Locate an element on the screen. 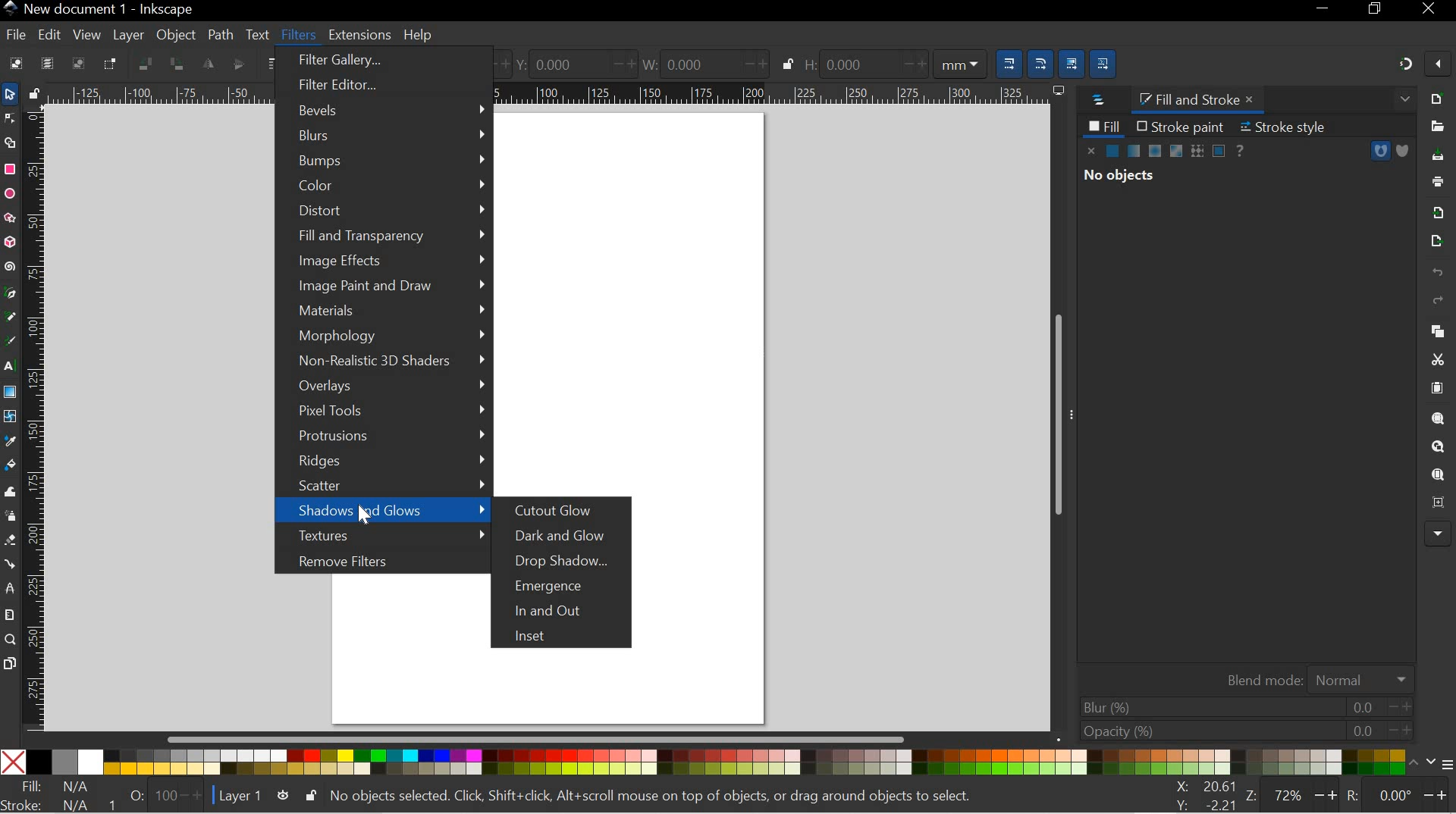 Image resolution: width=1456 pixels, height=814 pixels. Cursor is located at coordinates (364, 519).